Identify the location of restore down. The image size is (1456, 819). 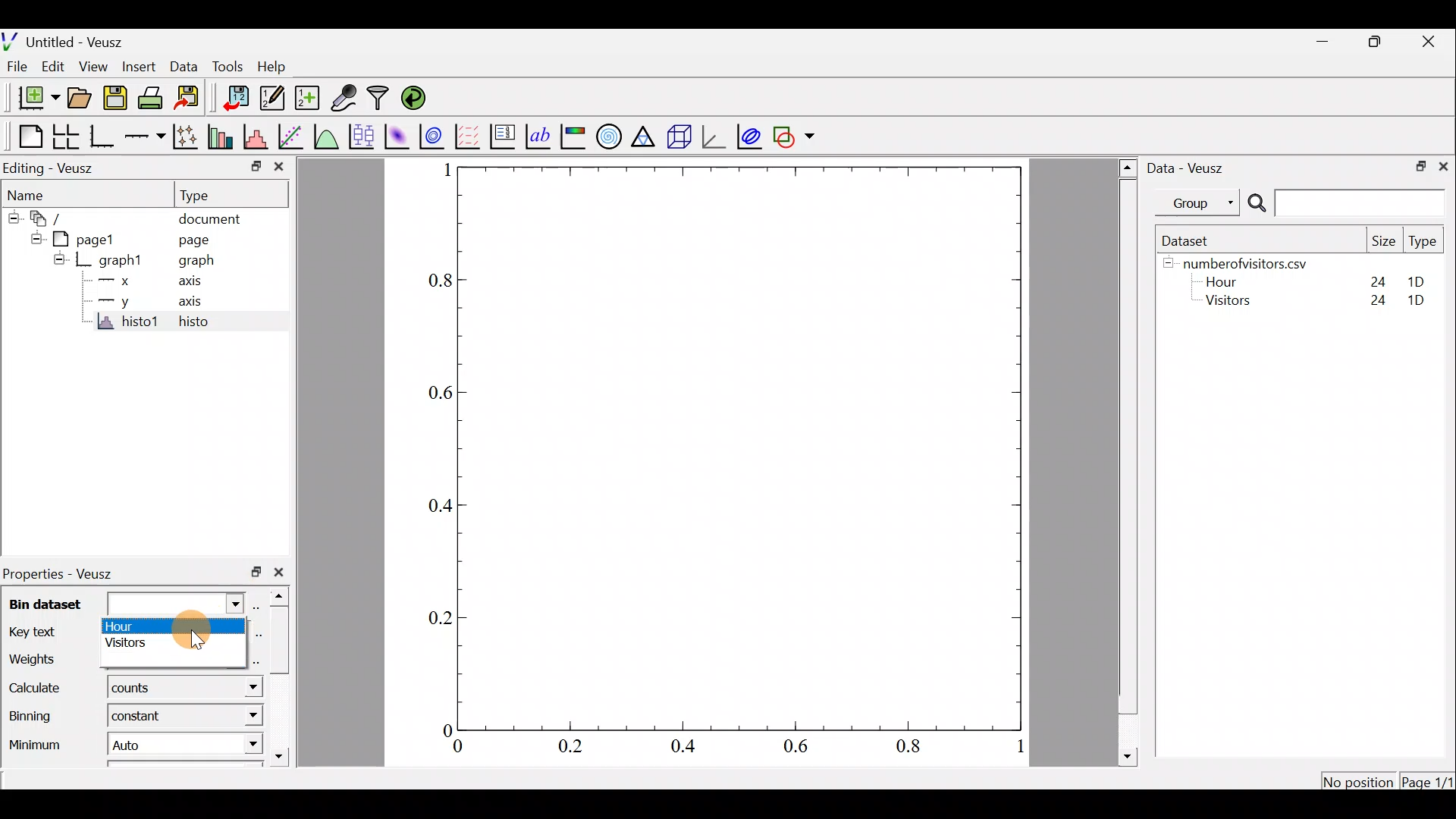
(1419, 167).